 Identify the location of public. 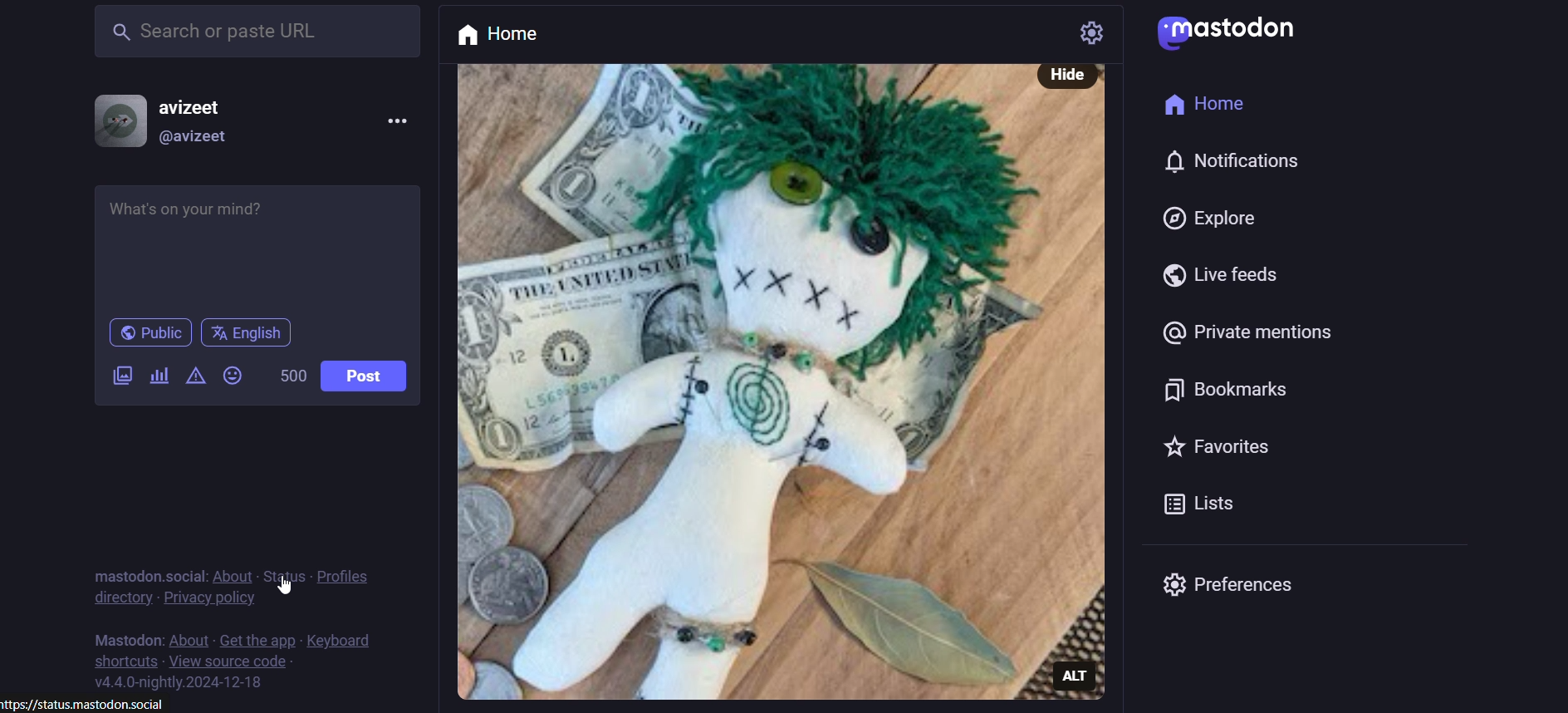
(149, 336).